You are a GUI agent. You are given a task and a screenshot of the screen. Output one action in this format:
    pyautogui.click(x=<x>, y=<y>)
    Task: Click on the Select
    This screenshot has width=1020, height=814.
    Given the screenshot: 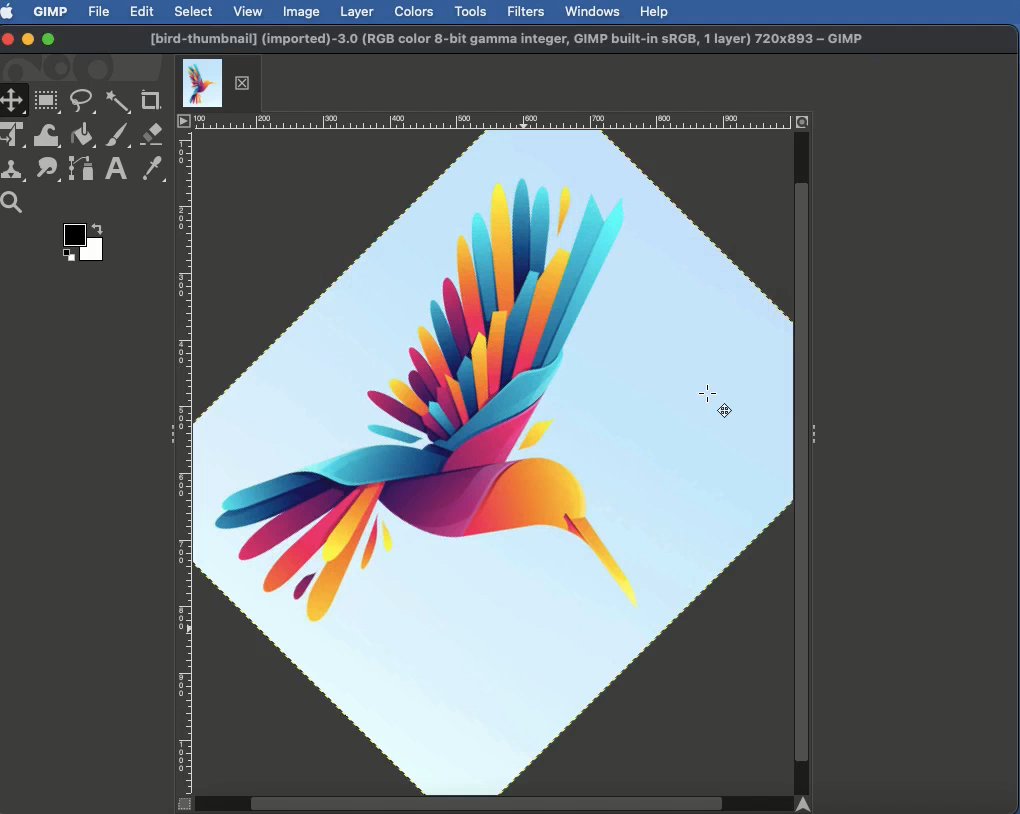 What is the action you would take?
    pyautogui.click(x=194, y=11)
    